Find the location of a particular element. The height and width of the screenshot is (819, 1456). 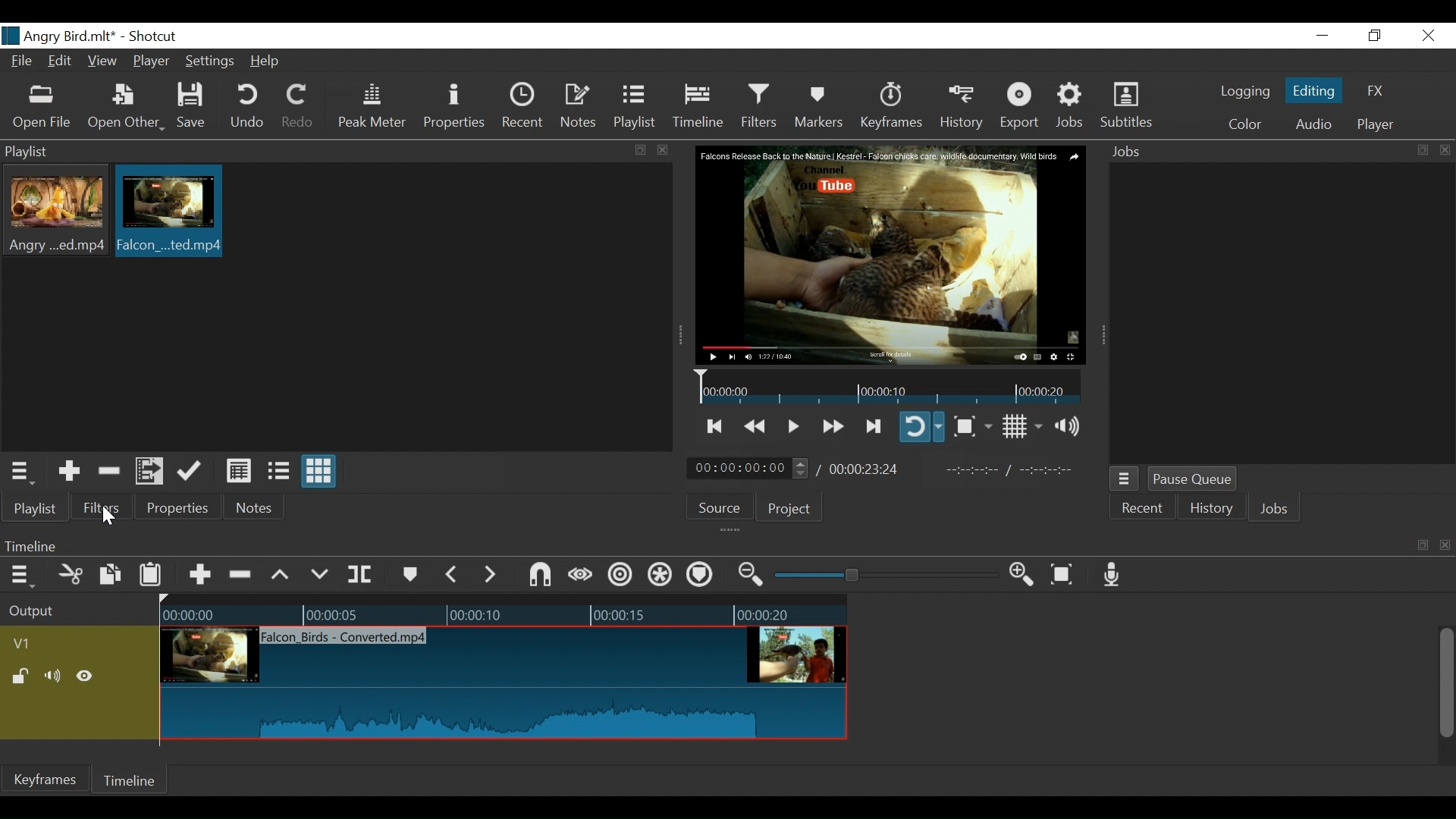

Settings is located at coordinates (211, 63).